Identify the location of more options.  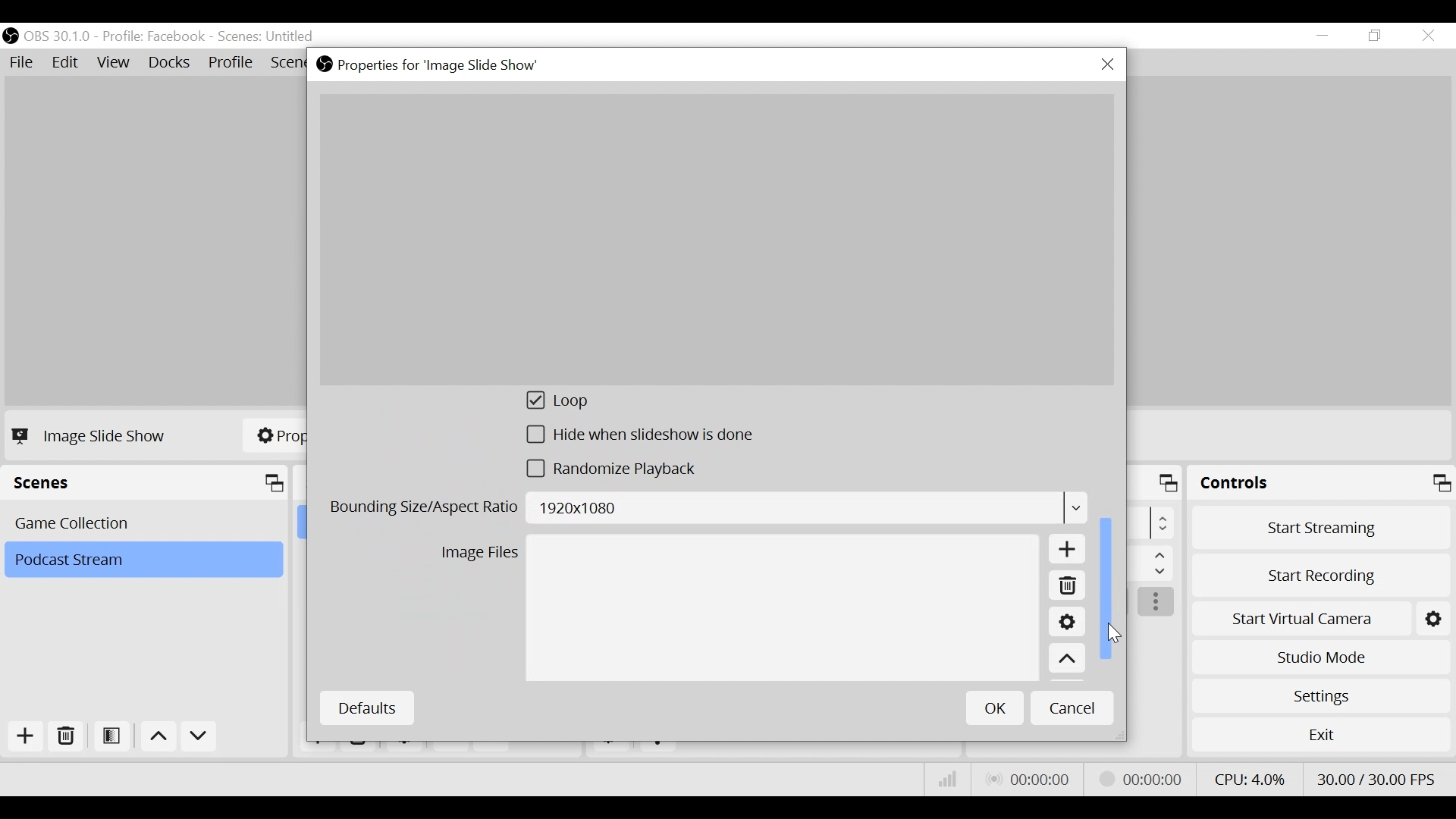
(1157, 603).